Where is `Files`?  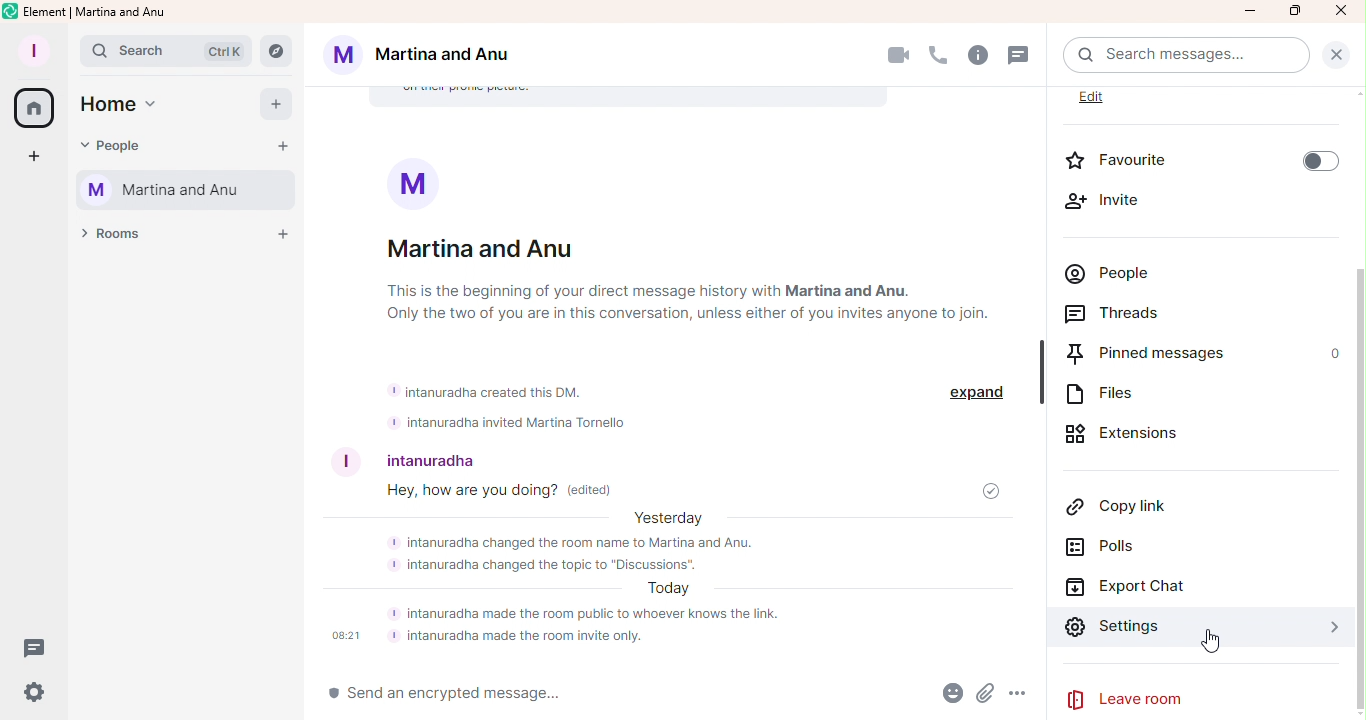 Files is located at coordinates (1112, 394).